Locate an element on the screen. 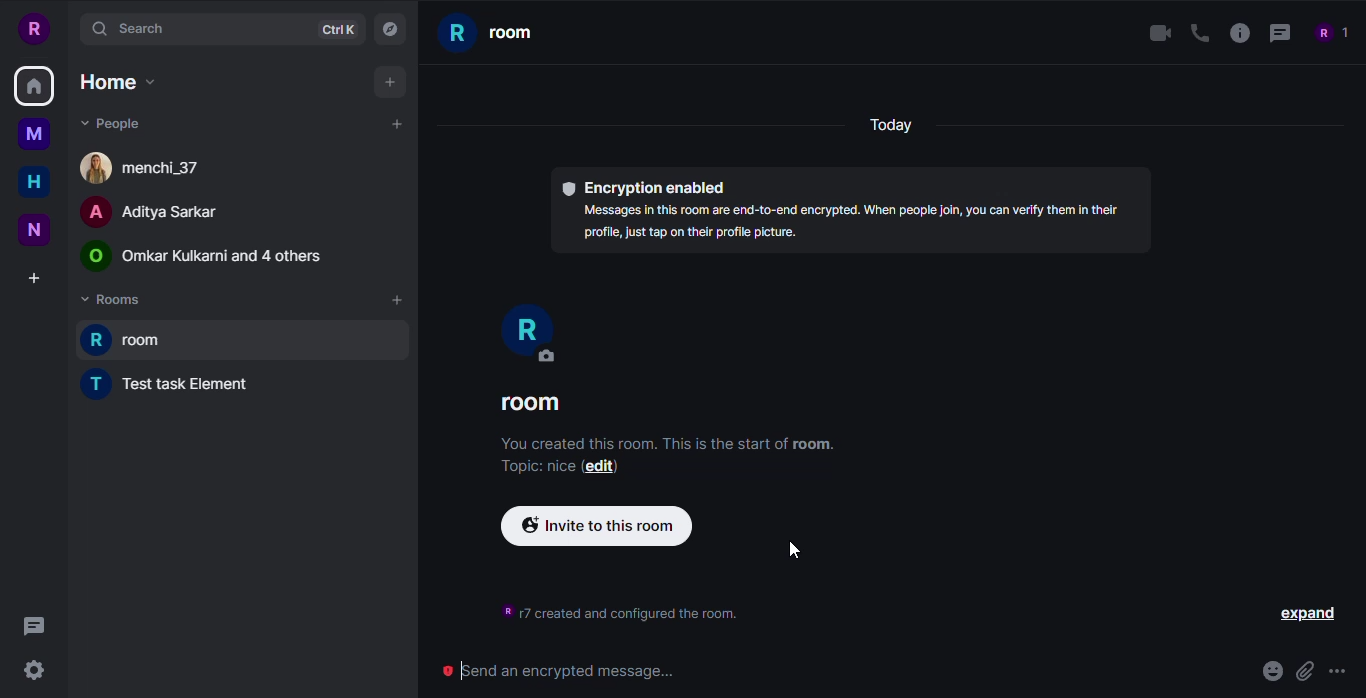 Image resolution: width=1366 pixels, height=698 pixels. info is located at coordinates (663, 445).